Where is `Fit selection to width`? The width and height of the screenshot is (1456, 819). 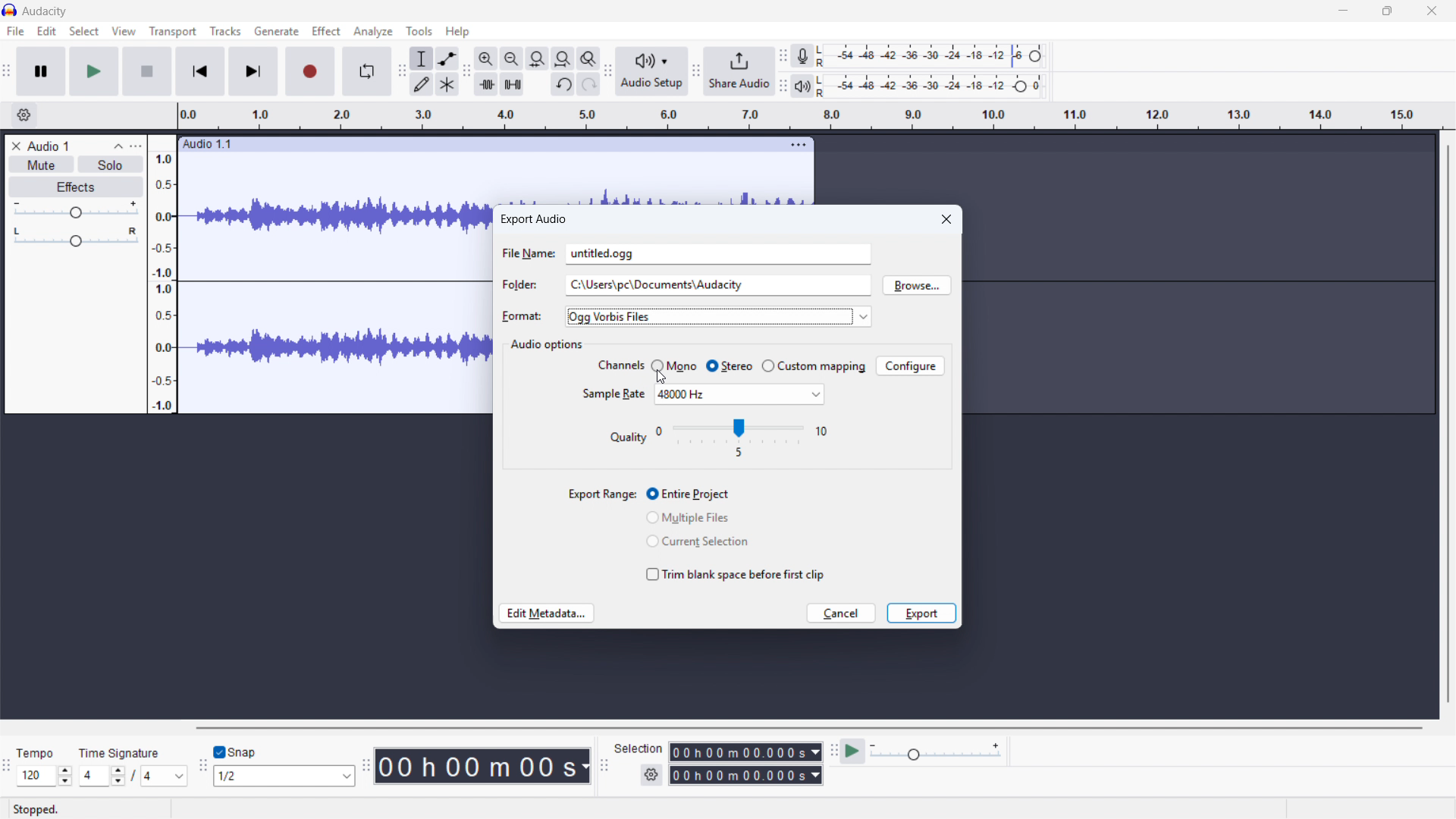
Fit selection to width is located at coordinates (538, 58).